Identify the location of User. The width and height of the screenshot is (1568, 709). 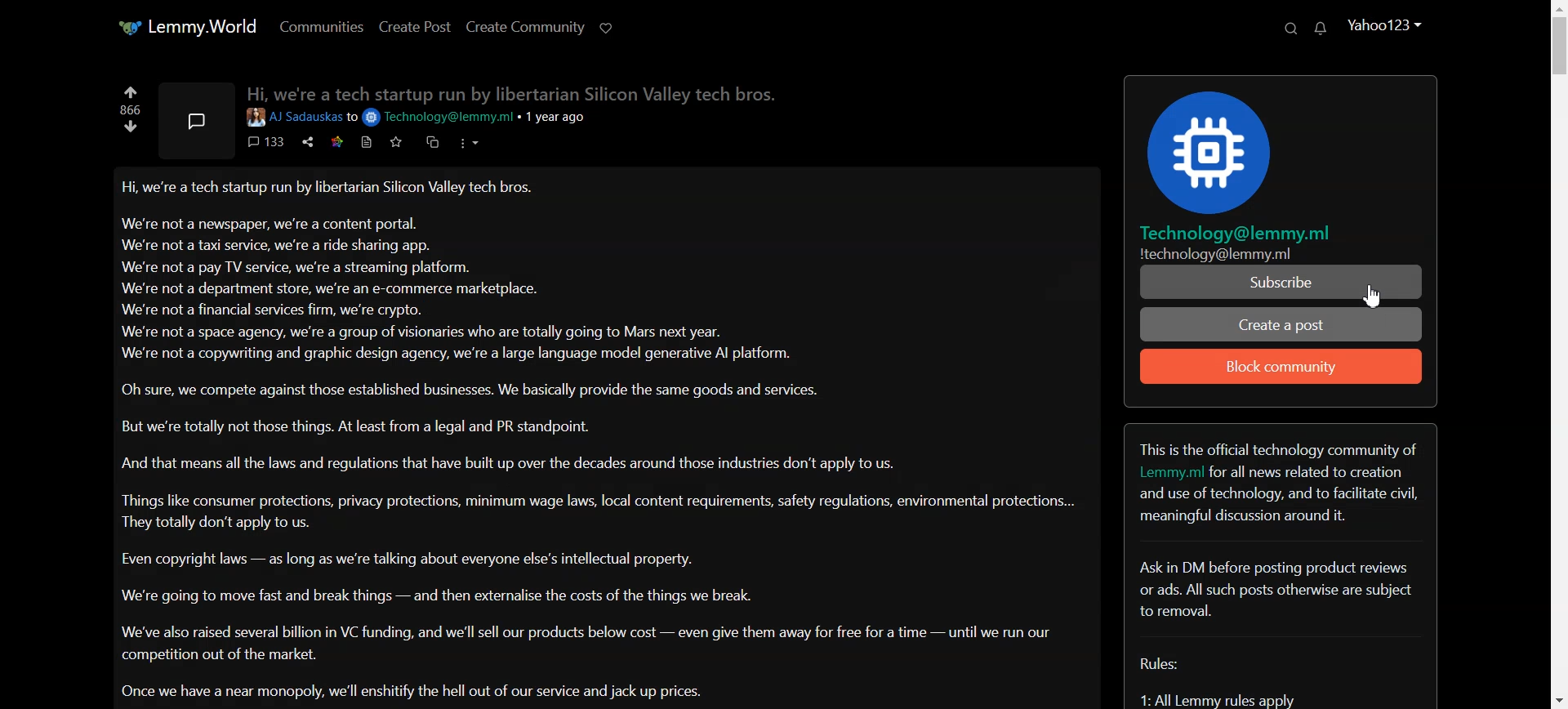
(294, 118).